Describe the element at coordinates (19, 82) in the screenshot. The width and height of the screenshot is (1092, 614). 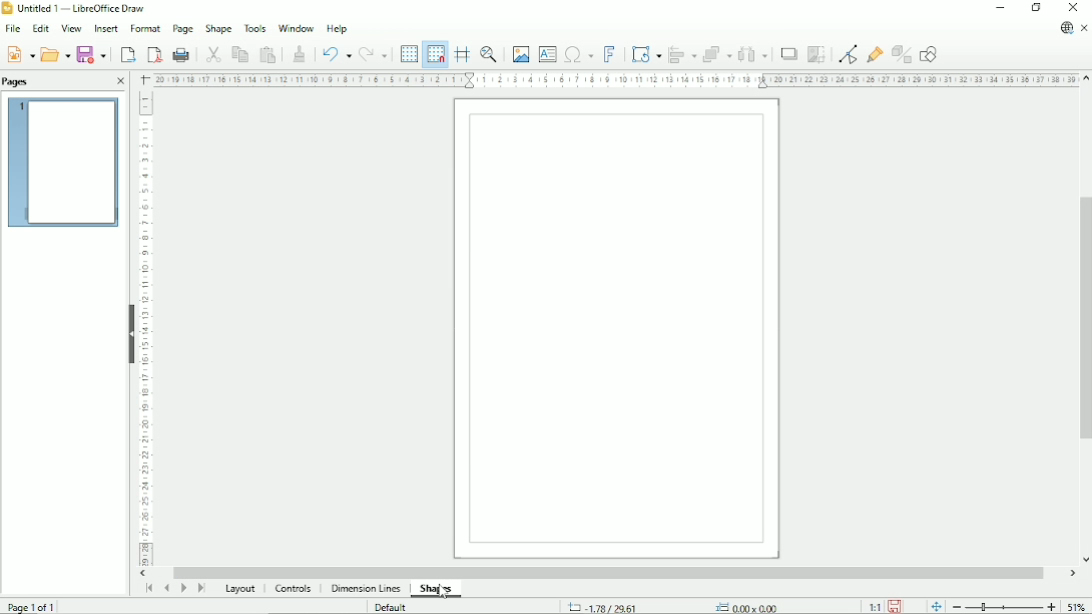
I see `Pages` at that location.